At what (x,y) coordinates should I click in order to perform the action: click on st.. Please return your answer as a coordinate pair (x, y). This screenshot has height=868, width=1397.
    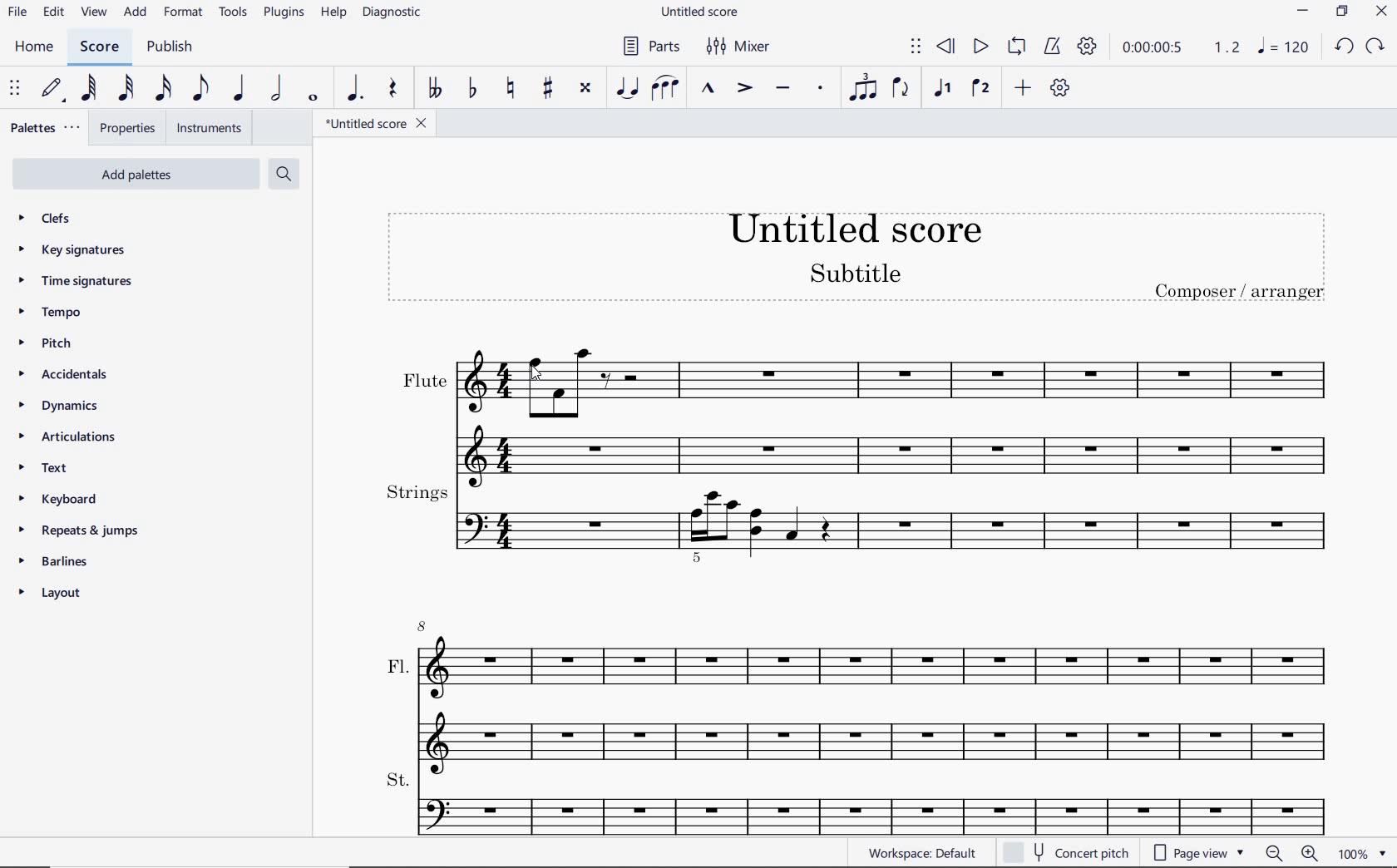
    Looking at the image, I should click on (875, 801).